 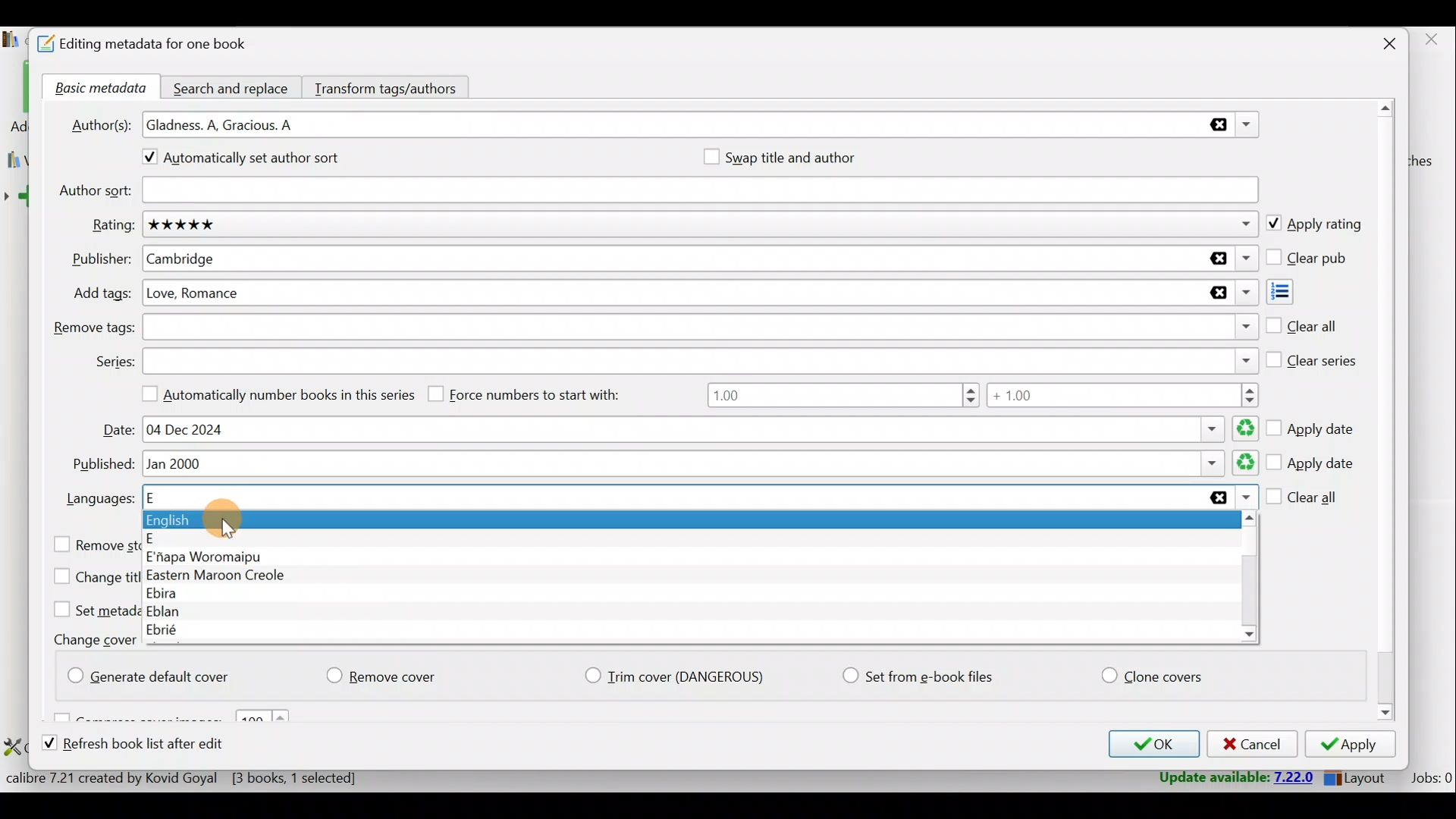 What do you see at coordinates (1250, 745) in the screenshot?
I see `Cancel` at bounding box center [1250, 745].